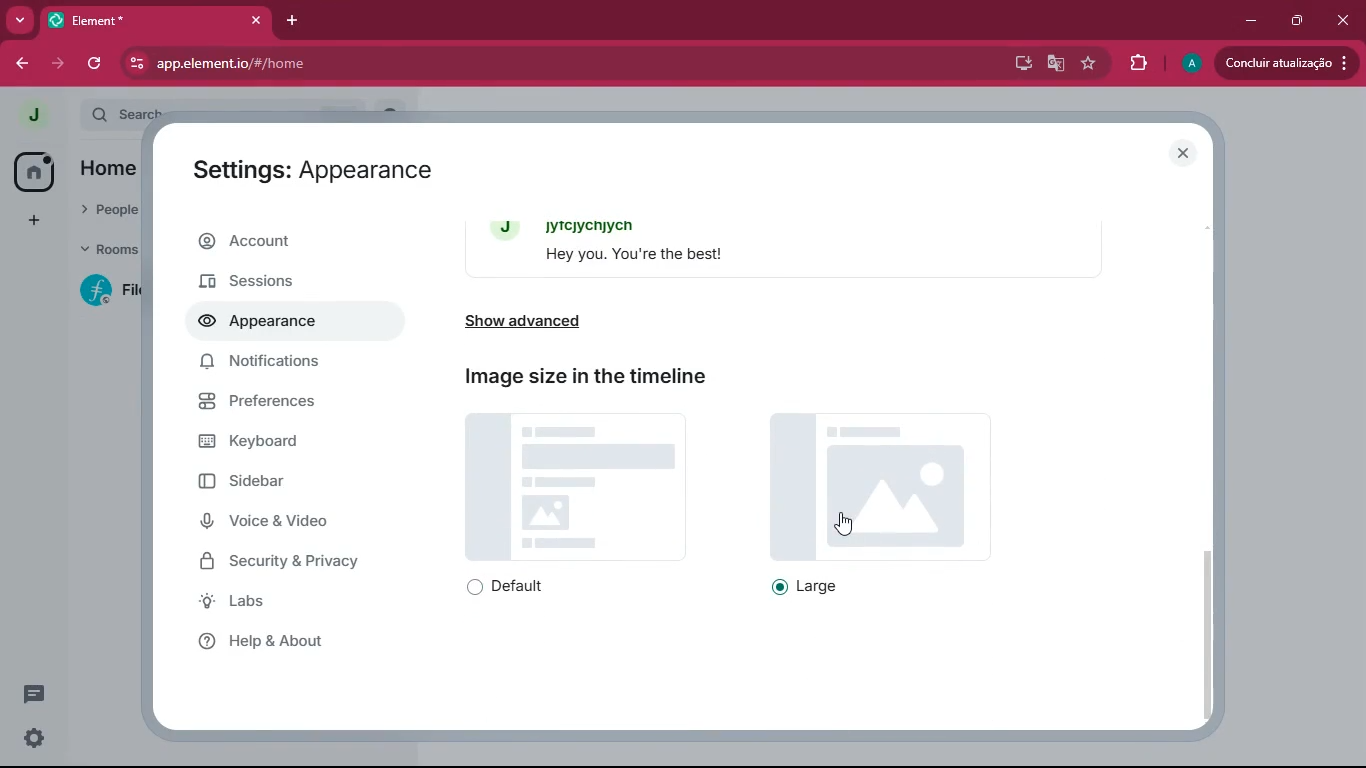 The image size is (1366, 768). Describe the element at coordinates (1019, 62) in the screenshot. I see `desktop` at that location.